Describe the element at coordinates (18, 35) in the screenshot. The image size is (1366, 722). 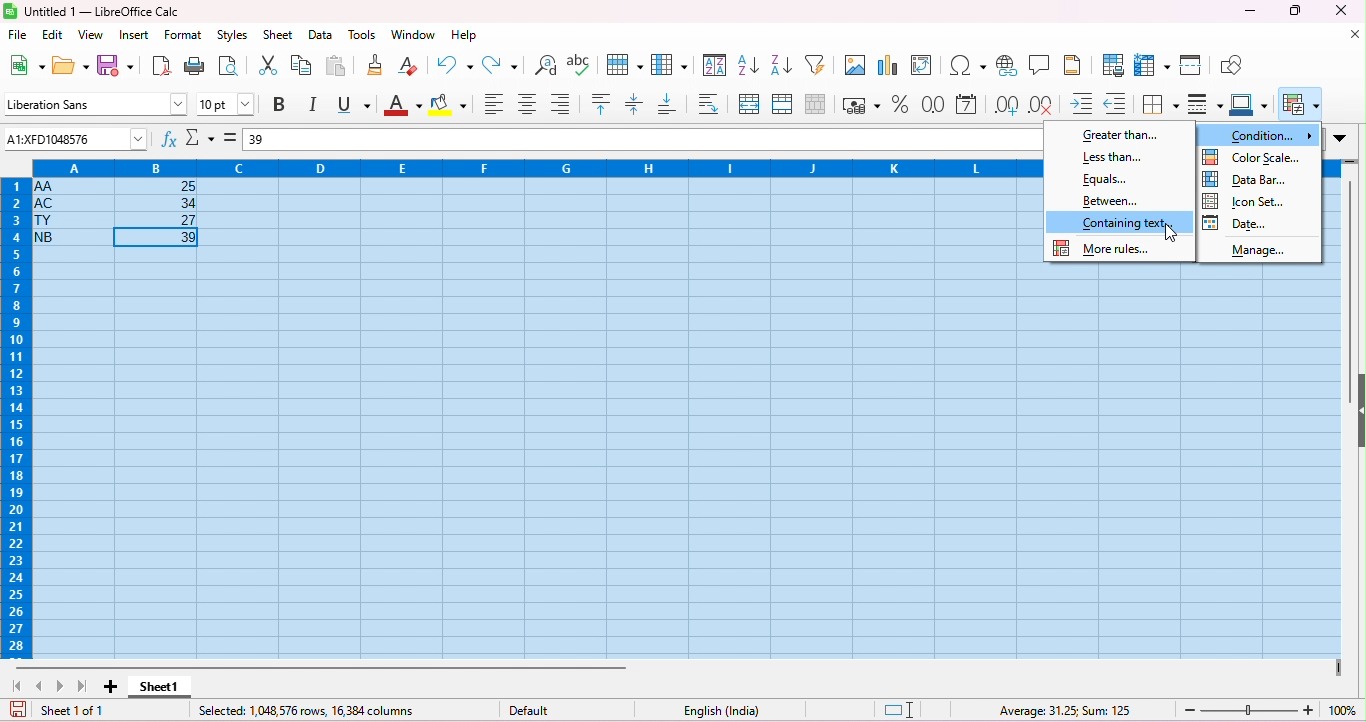
I see `file` at that location.